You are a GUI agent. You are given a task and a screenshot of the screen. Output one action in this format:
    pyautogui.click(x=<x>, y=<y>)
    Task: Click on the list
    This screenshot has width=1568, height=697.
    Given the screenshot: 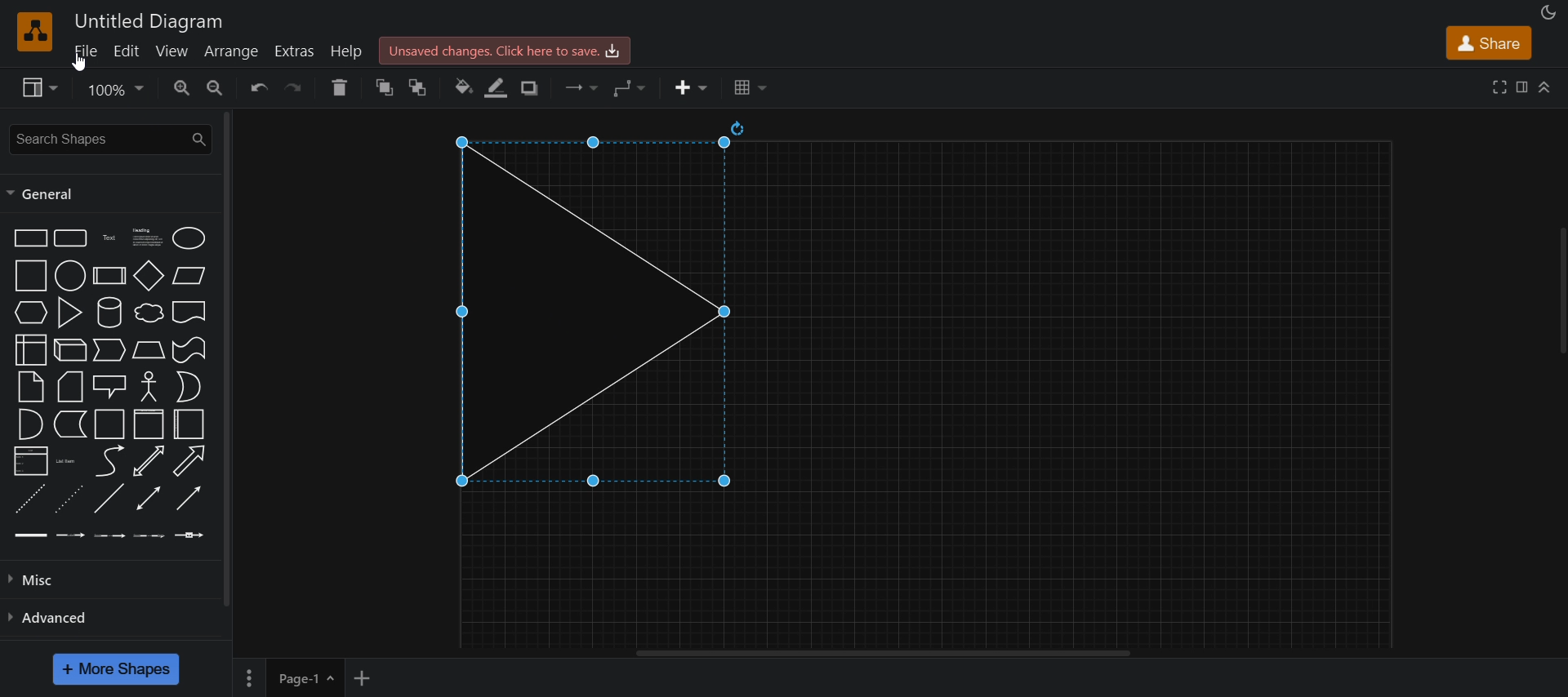 What is the action you would take?
    pyautogui.click(x=31, y=461)
    